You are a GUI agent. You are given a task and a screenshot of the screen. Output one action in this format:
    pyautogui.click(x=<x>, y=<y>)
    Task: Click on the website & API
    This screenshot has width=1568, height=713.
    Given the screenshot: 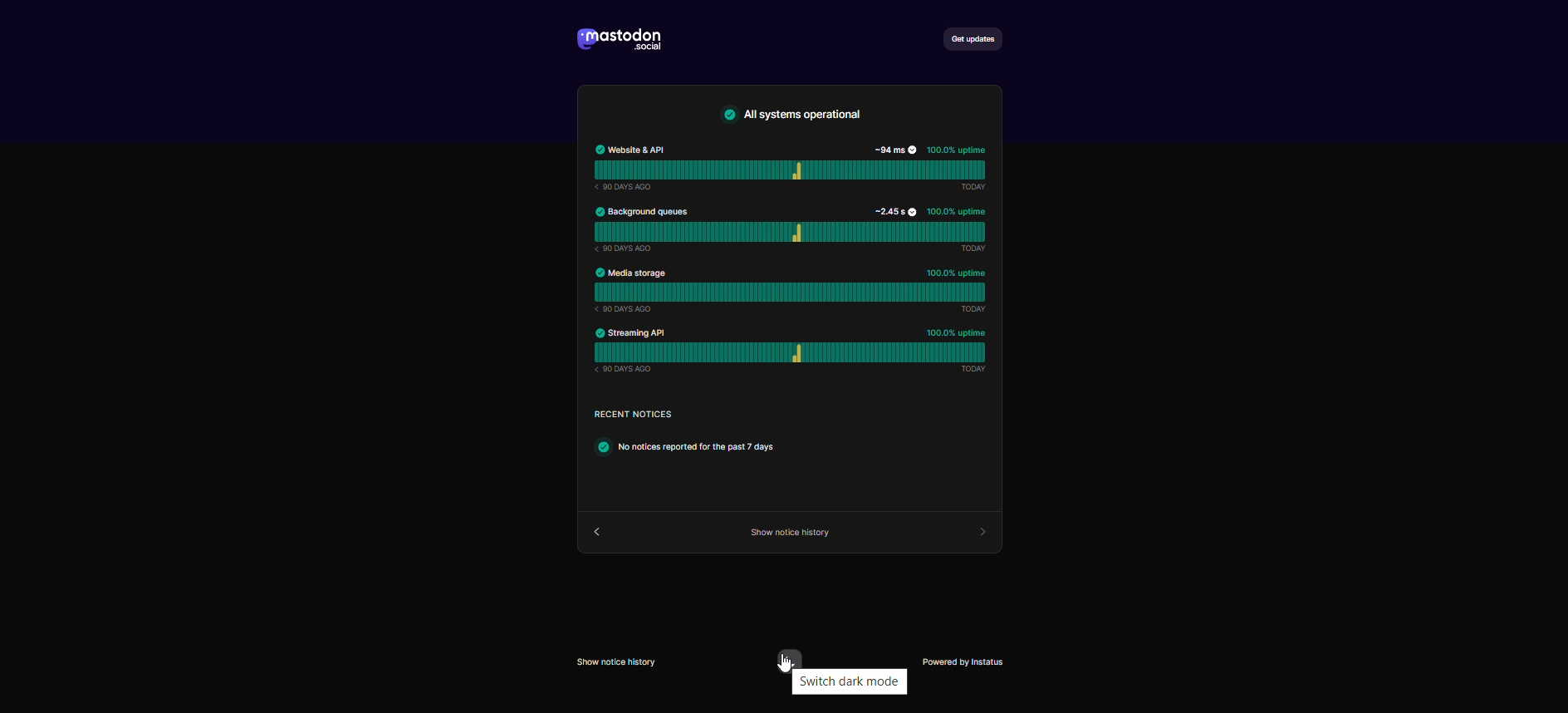 What is the action you would take?
    pyautogui.click(x=791, y=168)
    